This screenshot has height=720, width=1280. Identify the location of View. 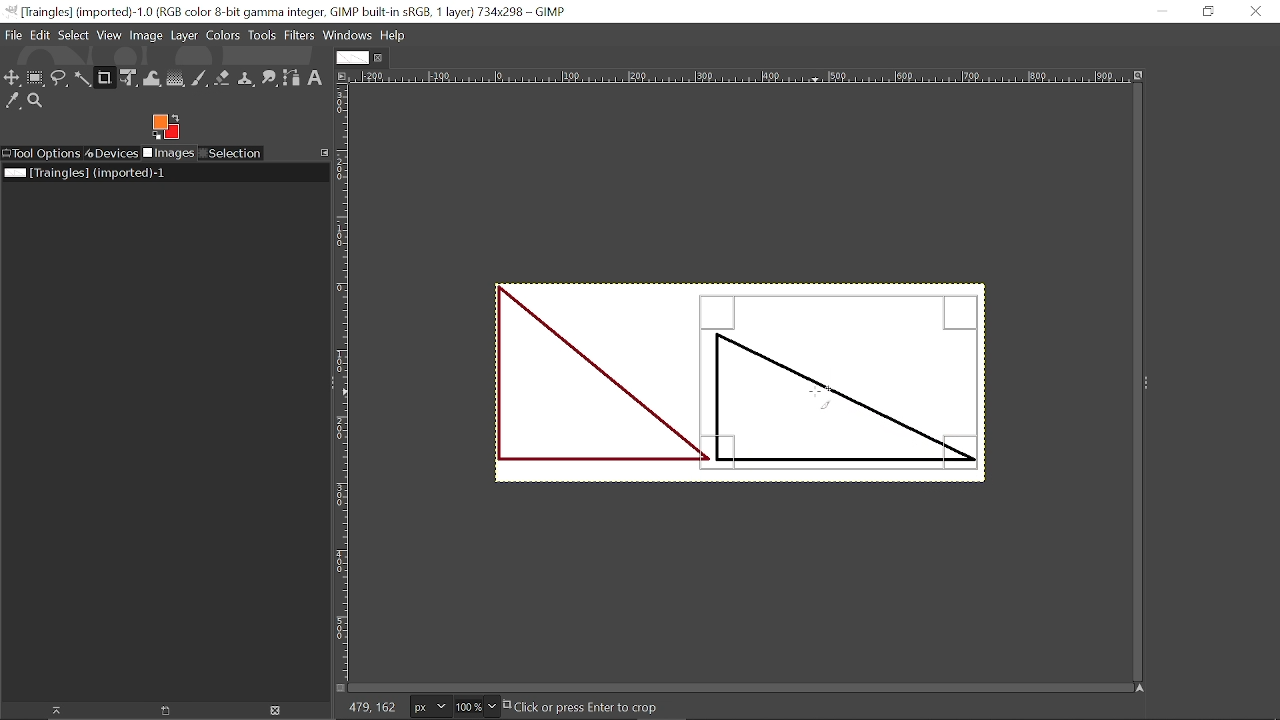
(109, 36).